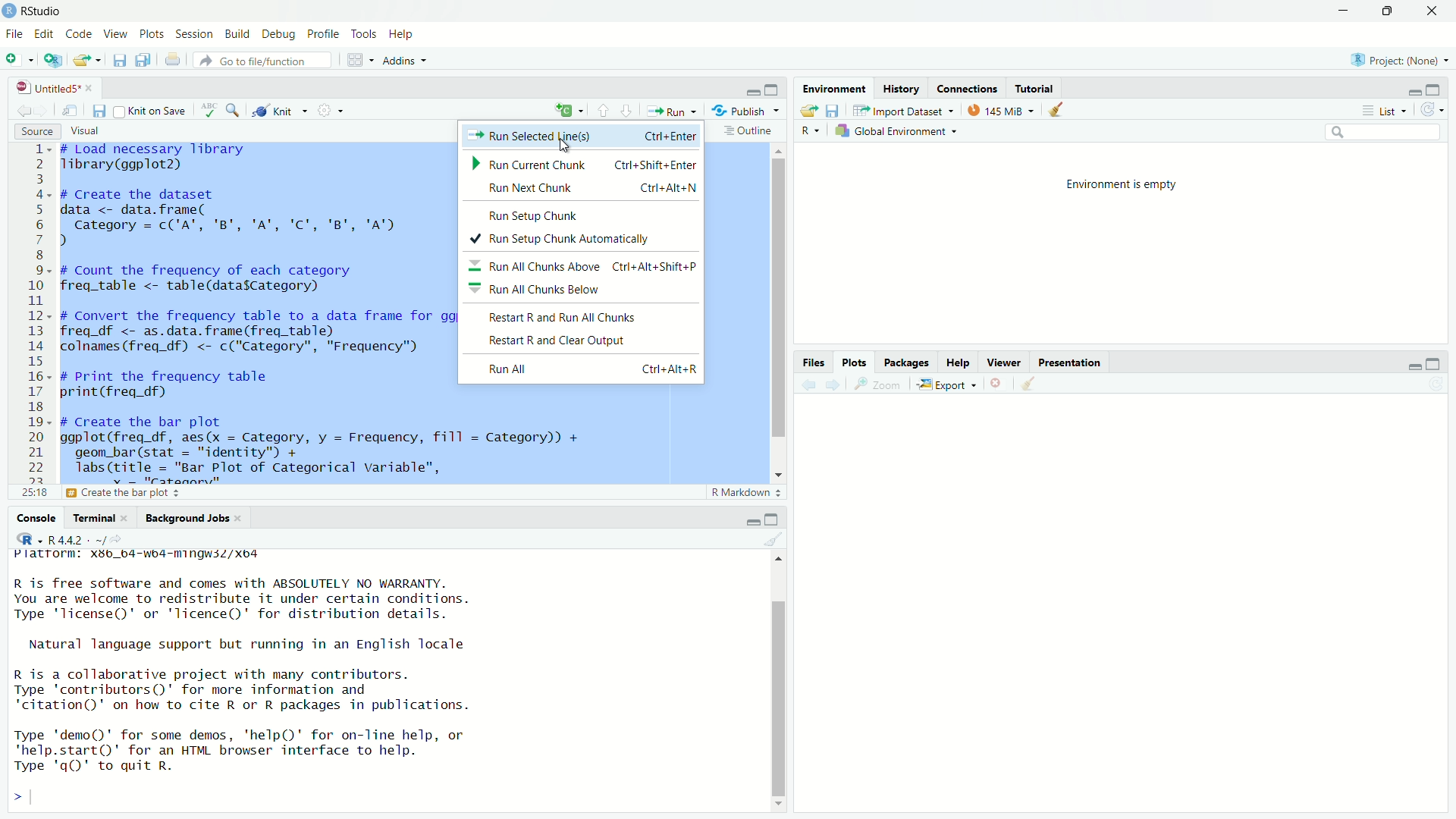 The width and height of the screenshot is (1456, 819). Describe the element at coordinates (1058, 109) in the screenshot. I see `clear data` at that location.